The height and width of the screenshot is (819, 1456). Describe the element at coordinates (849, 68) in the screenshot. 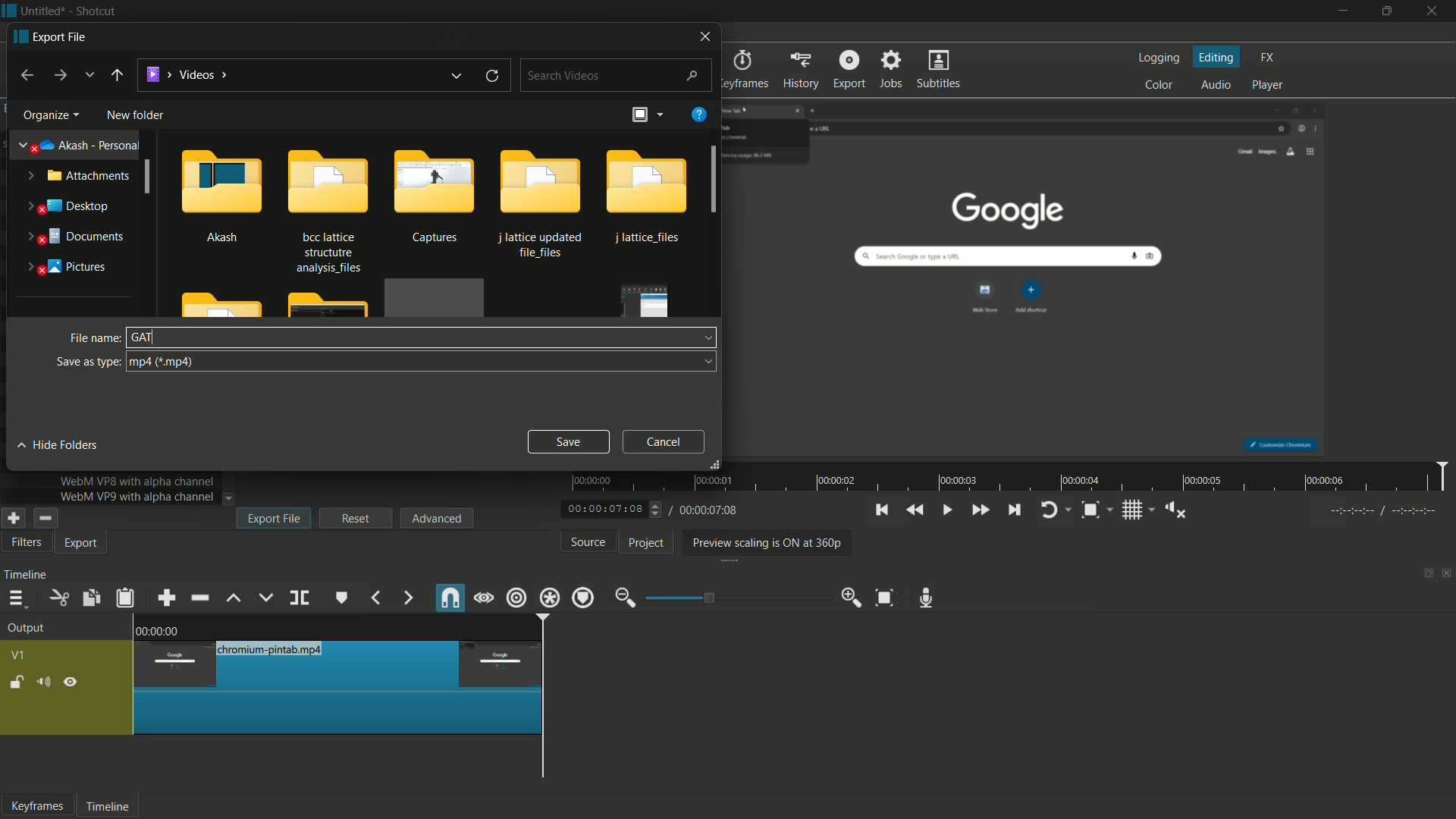

I see `export` at that location.